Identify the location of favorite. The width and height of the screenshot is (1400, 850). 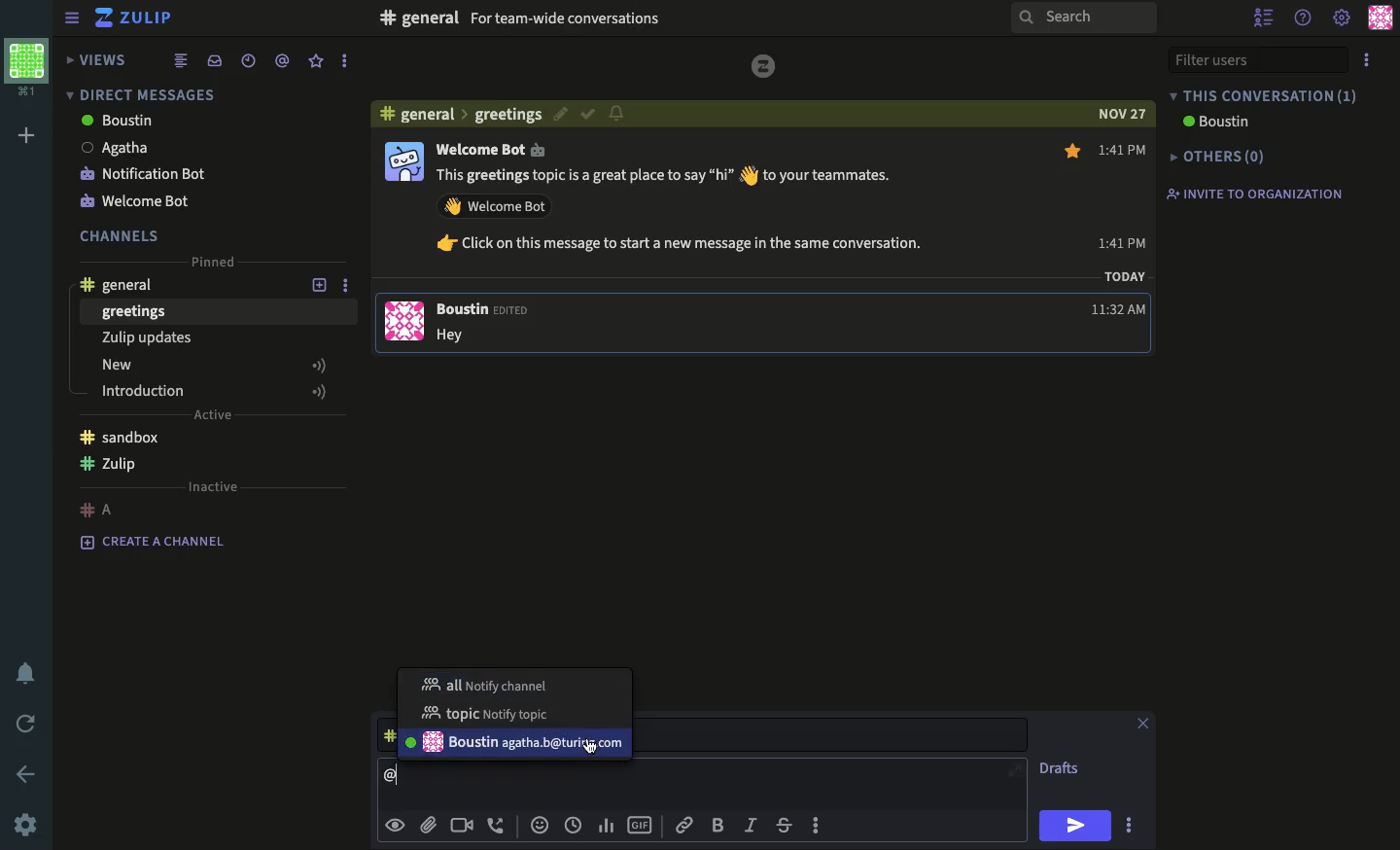
(317, 61).